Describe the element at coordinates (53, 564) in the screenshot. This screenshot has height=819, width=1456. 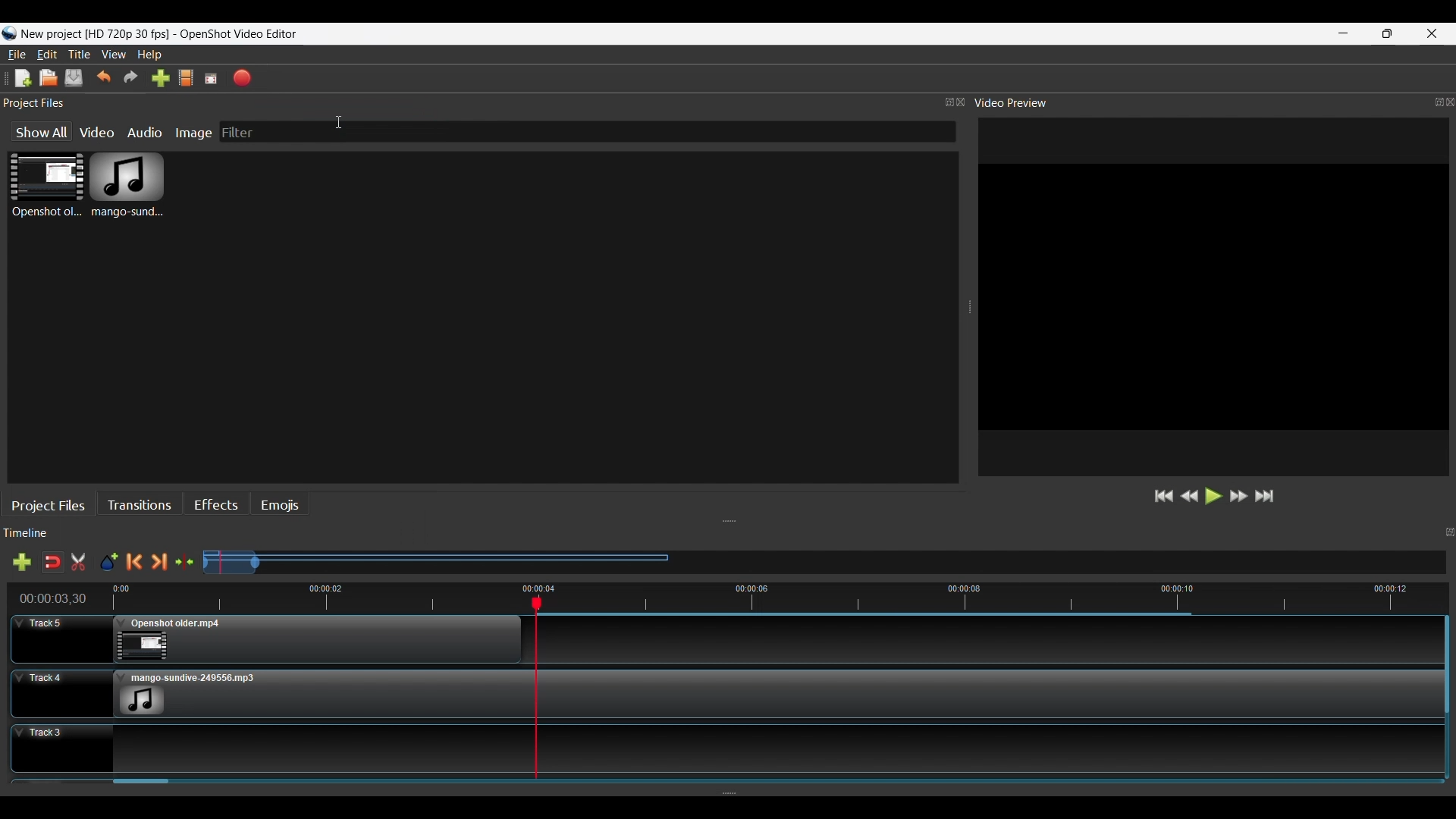
I see `Disable Snapping` at that location.